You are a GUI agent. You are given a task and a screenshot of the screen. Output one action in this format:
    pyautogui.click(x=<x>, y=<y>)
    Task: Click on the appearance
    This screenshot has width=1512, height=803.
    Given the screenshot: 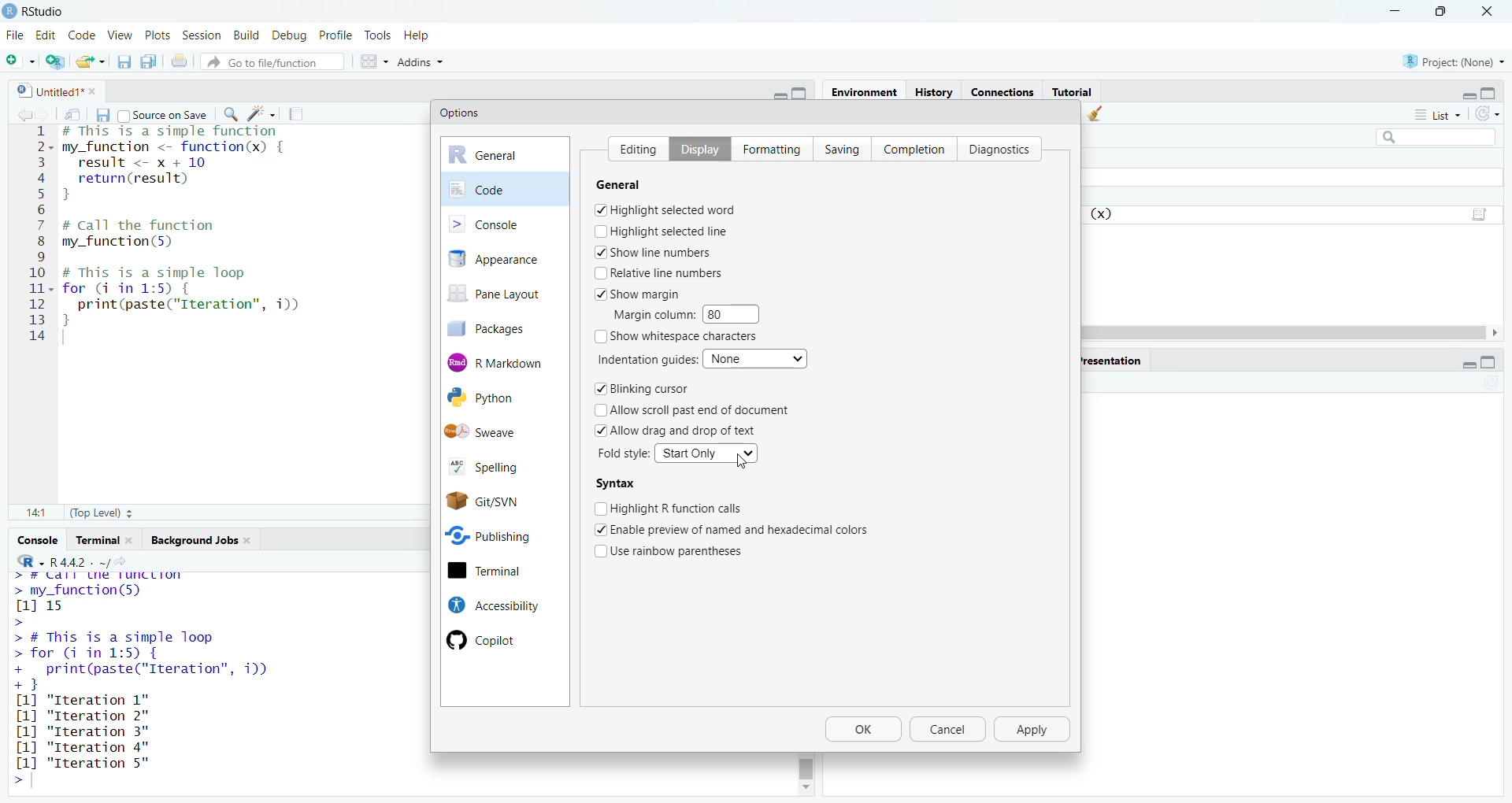 What is the action you would take?
    pyautogui.click(x=505, y=259)
    